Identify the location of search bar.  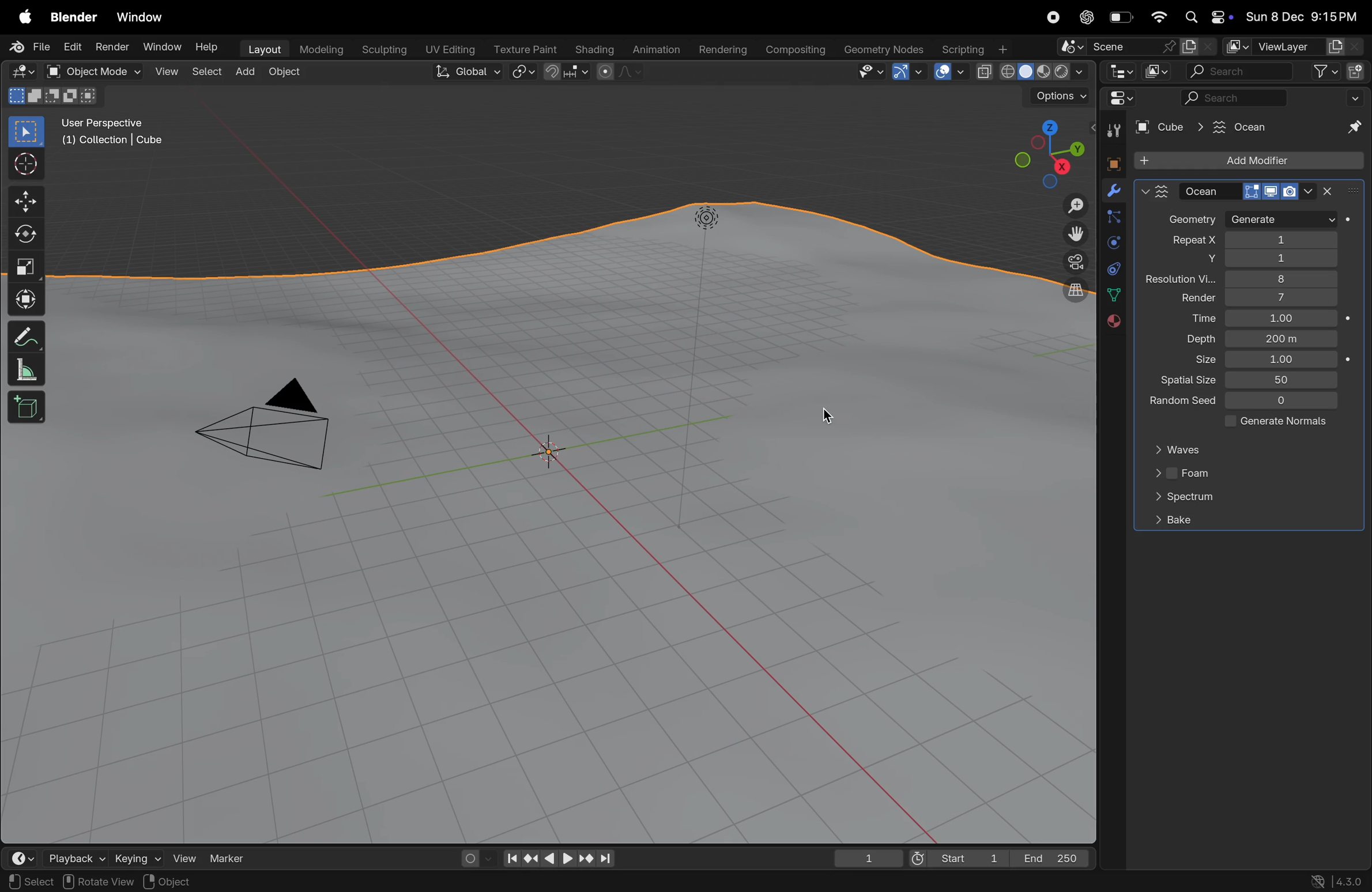
(1238, 73).